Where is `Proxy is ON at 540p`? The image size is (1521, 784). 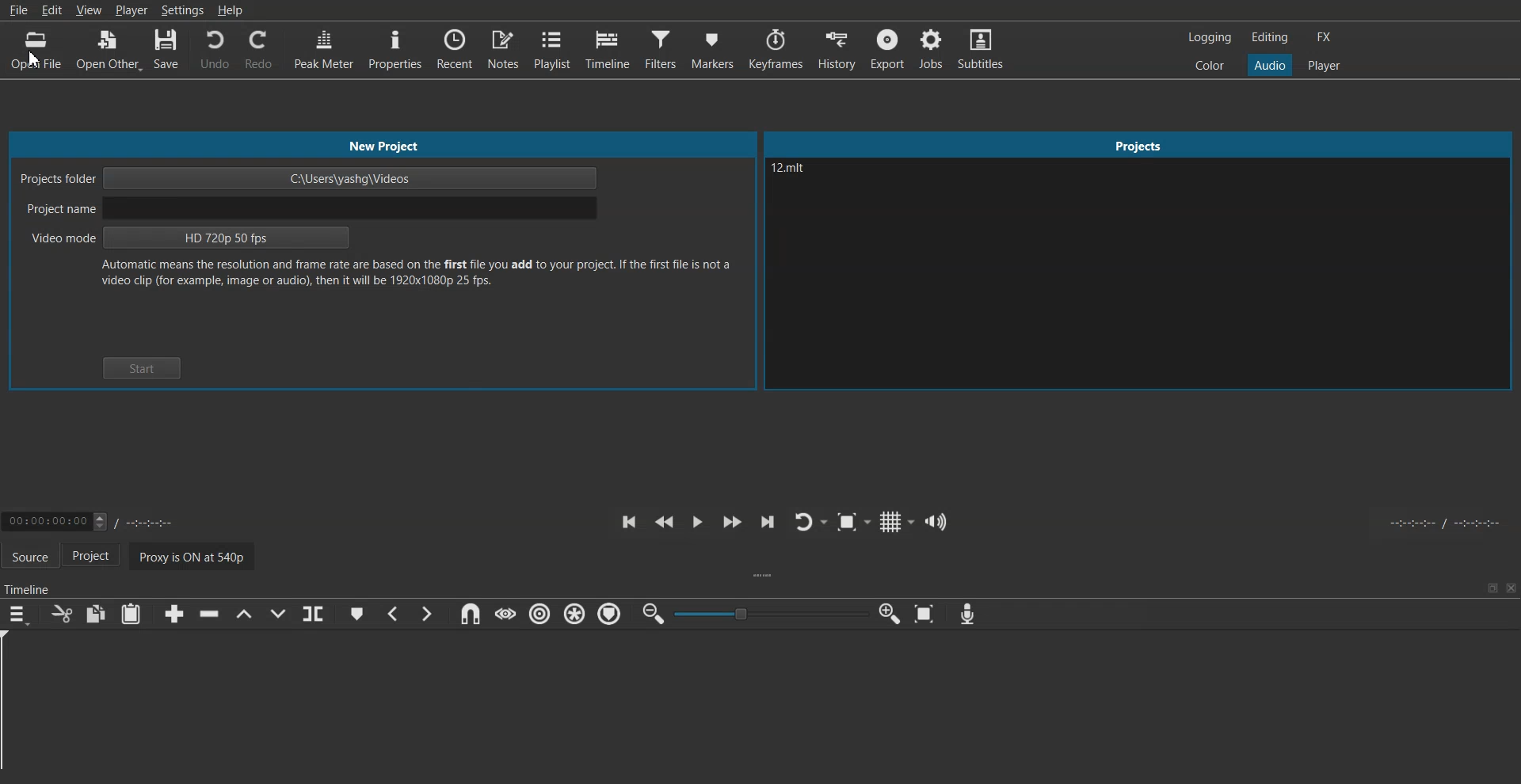 Proxy is ON at 540p is located at coordinates (196, 555).